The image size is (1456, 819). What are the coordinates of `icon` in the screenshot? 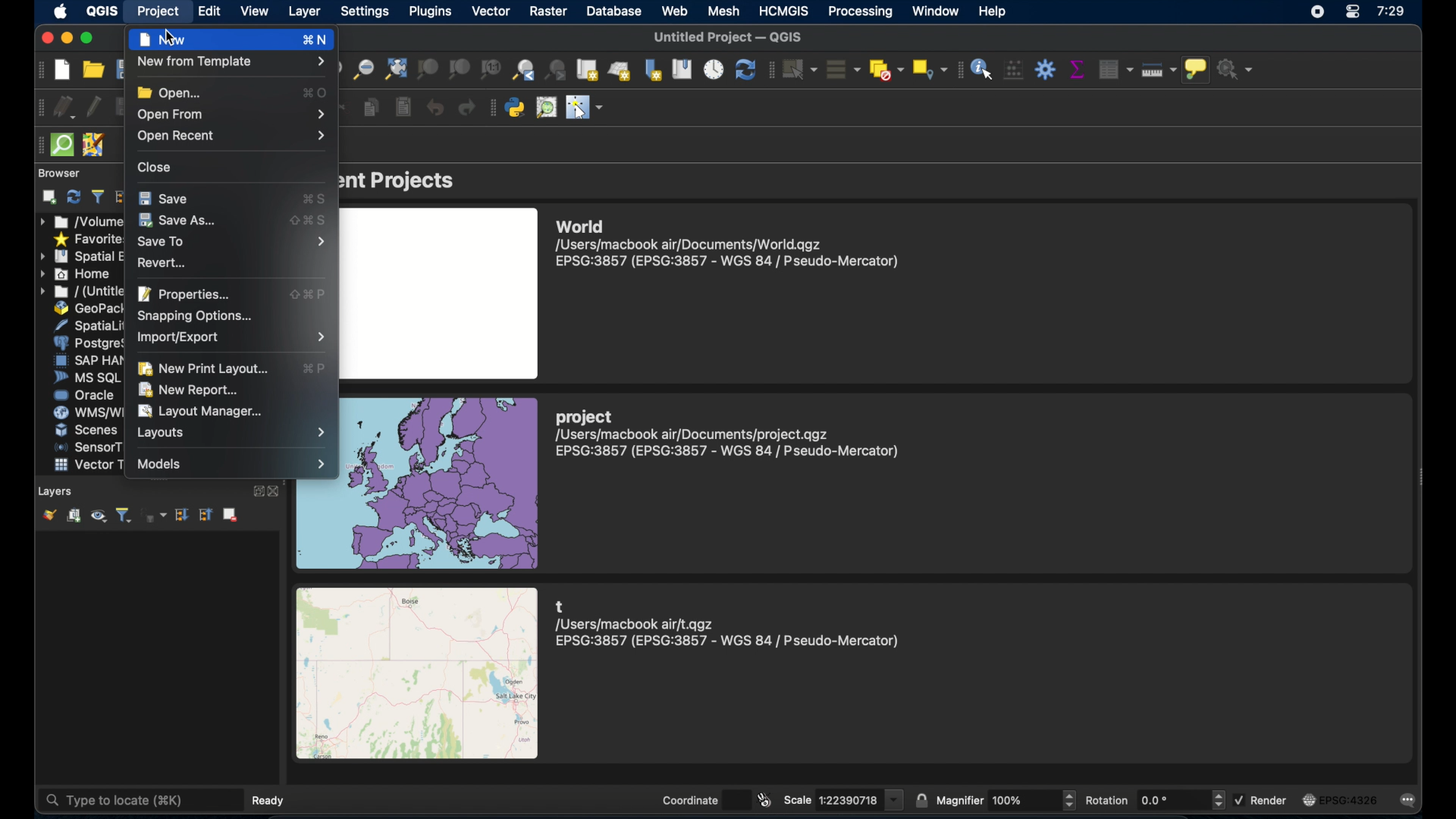 It's located at (61, 291).